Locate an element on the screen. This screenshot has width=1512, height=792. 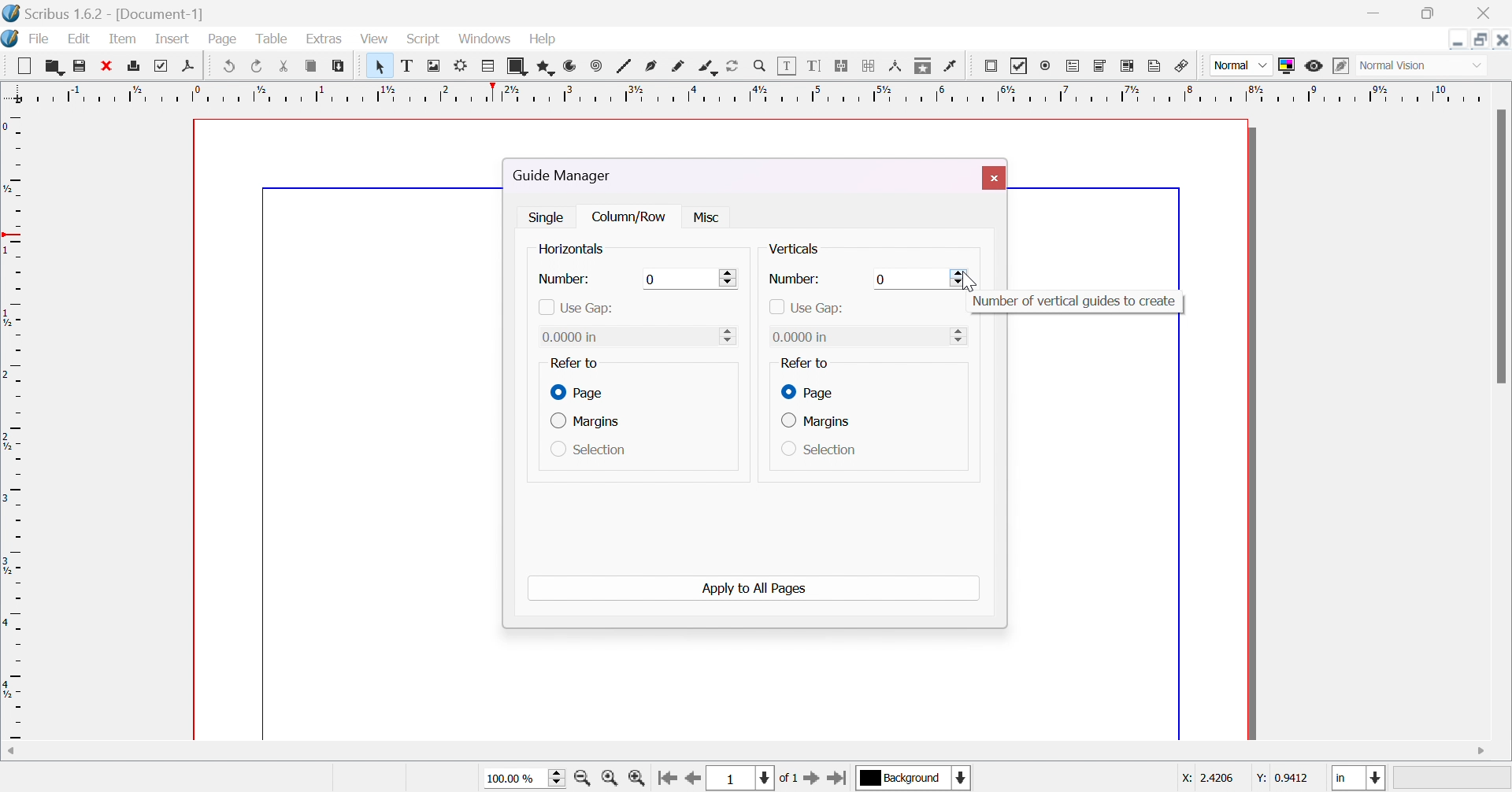
render frame is located at coordinates (464, 65).